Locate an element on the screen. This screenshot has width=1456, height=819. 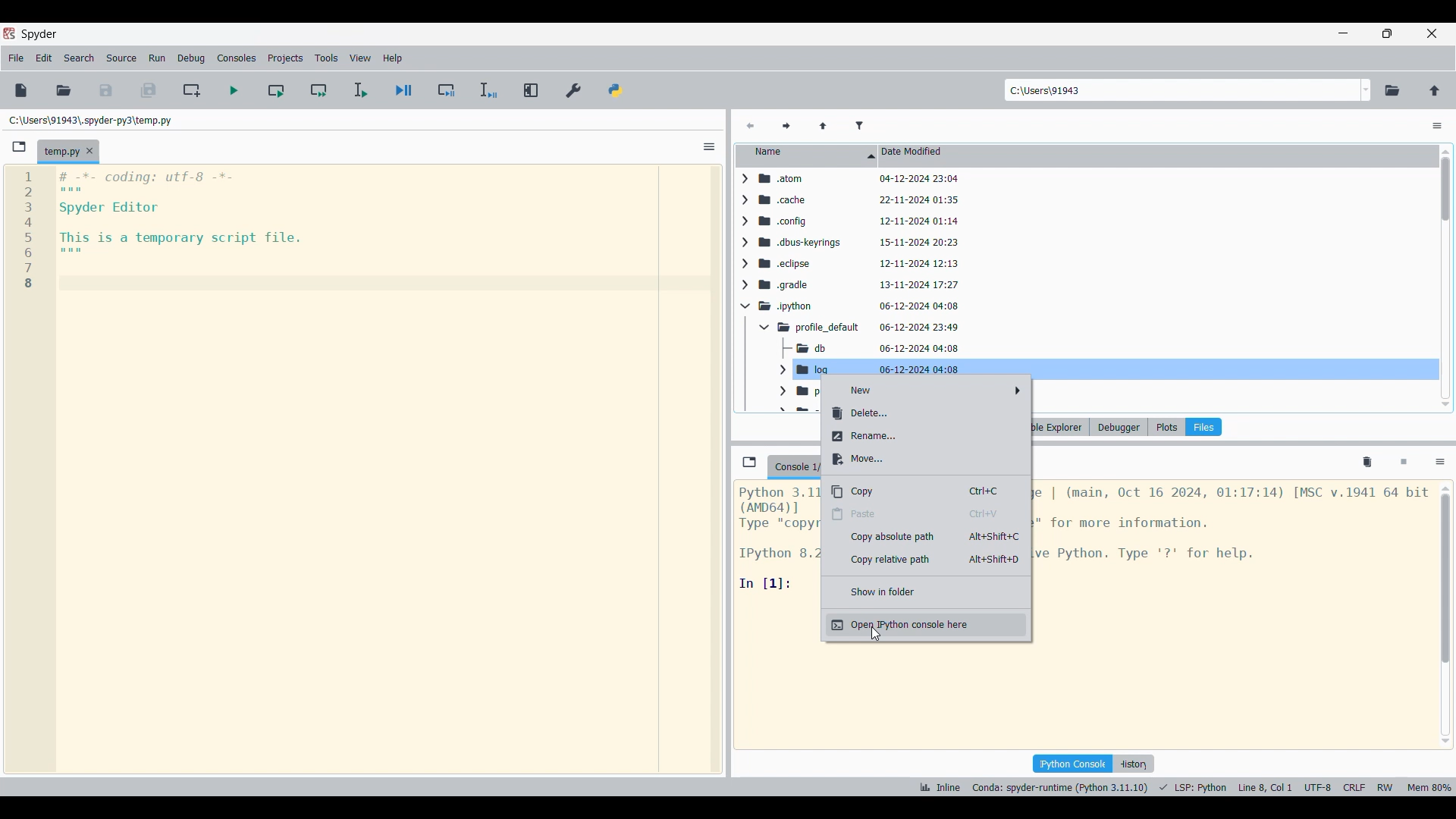
Search menu is located at coordinates (80, 58).